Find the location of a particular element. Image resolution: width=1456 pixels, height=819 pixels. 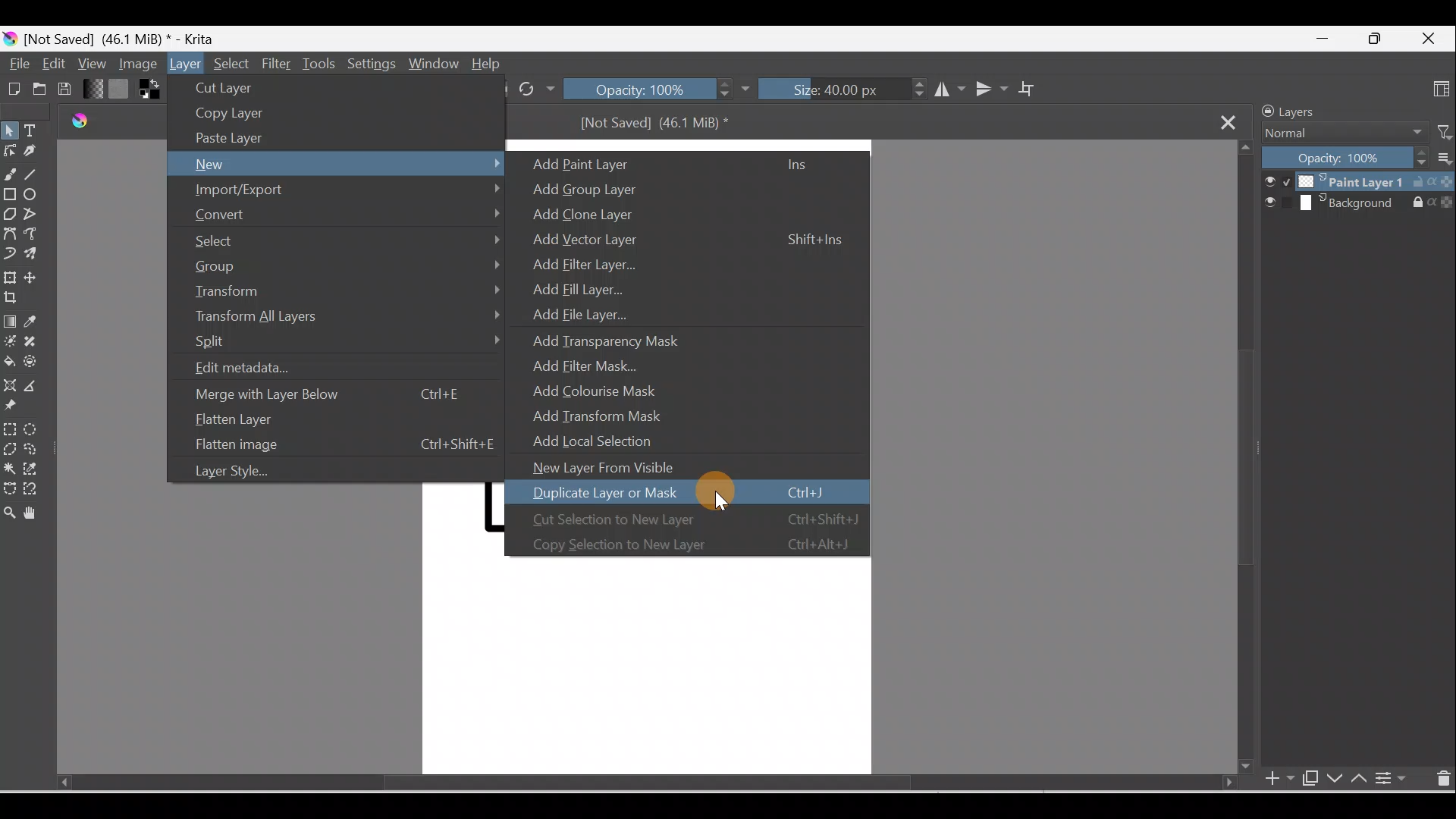

Fill gradients is located at coordinates (94, 89).